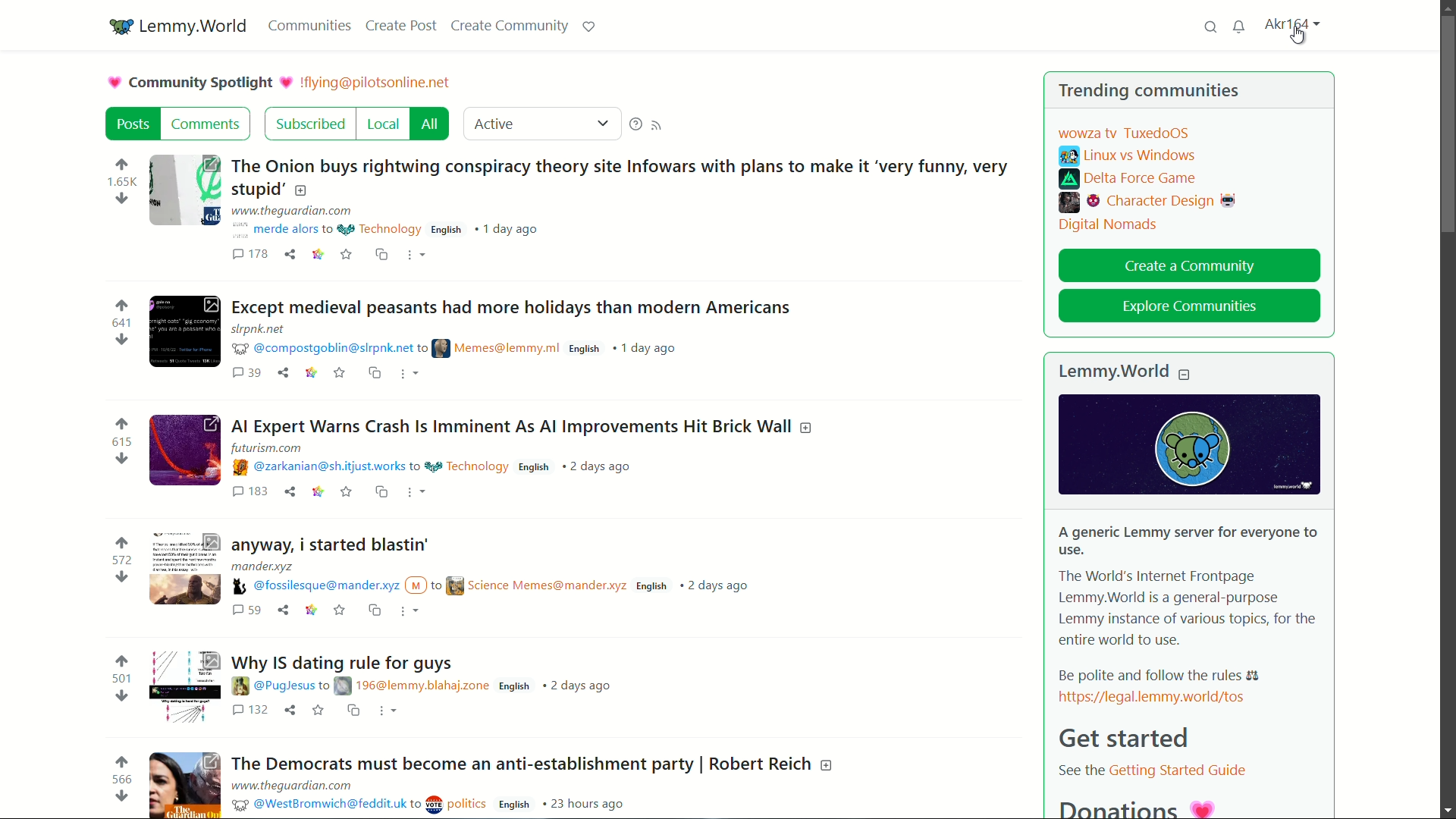 This screenshot has height=819, width=1456. I want to click on number of votes, so click(124, 183).